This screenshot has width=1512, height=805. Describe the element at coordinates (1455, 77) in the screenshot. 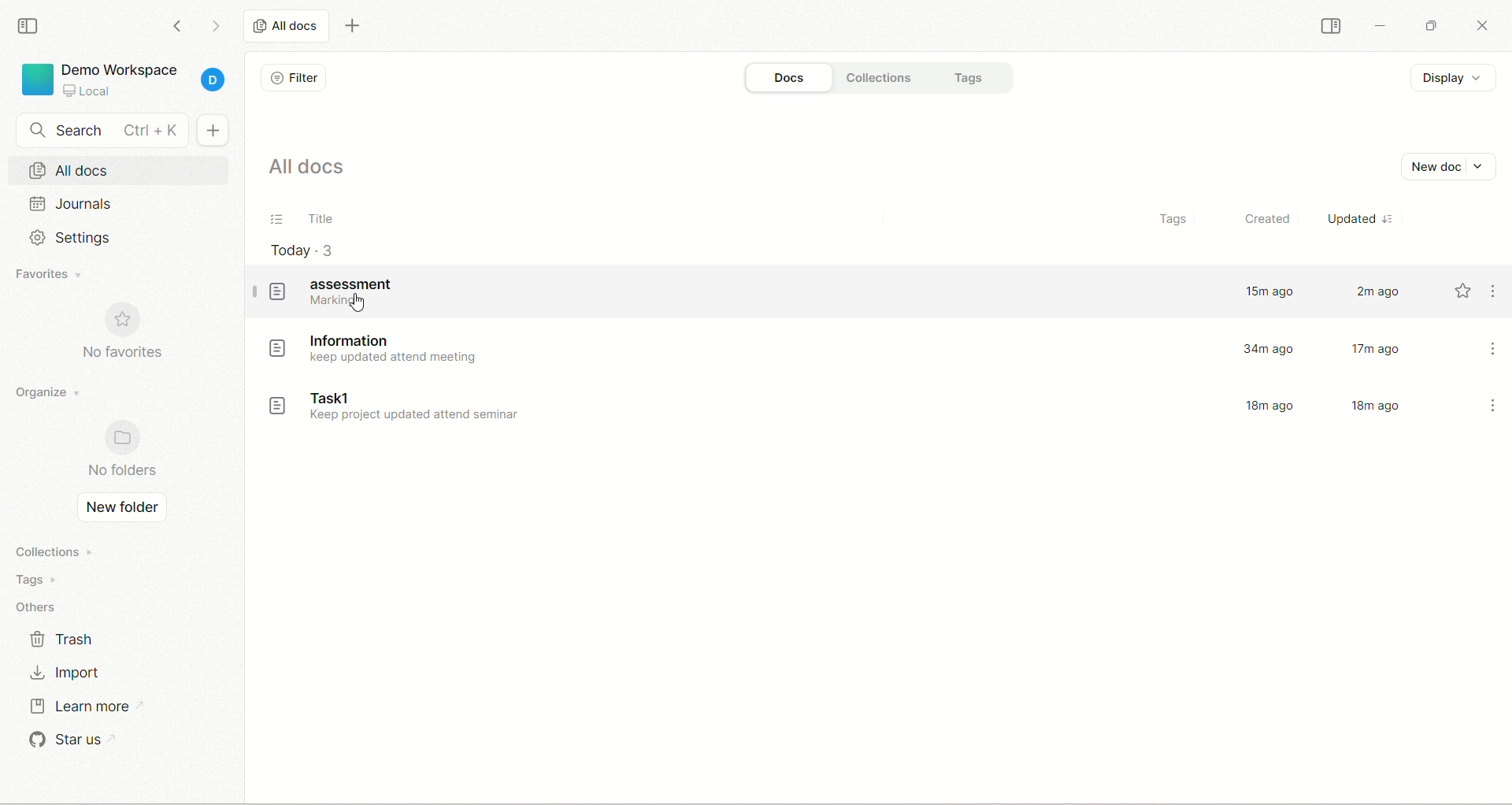

I see `display` at that location.